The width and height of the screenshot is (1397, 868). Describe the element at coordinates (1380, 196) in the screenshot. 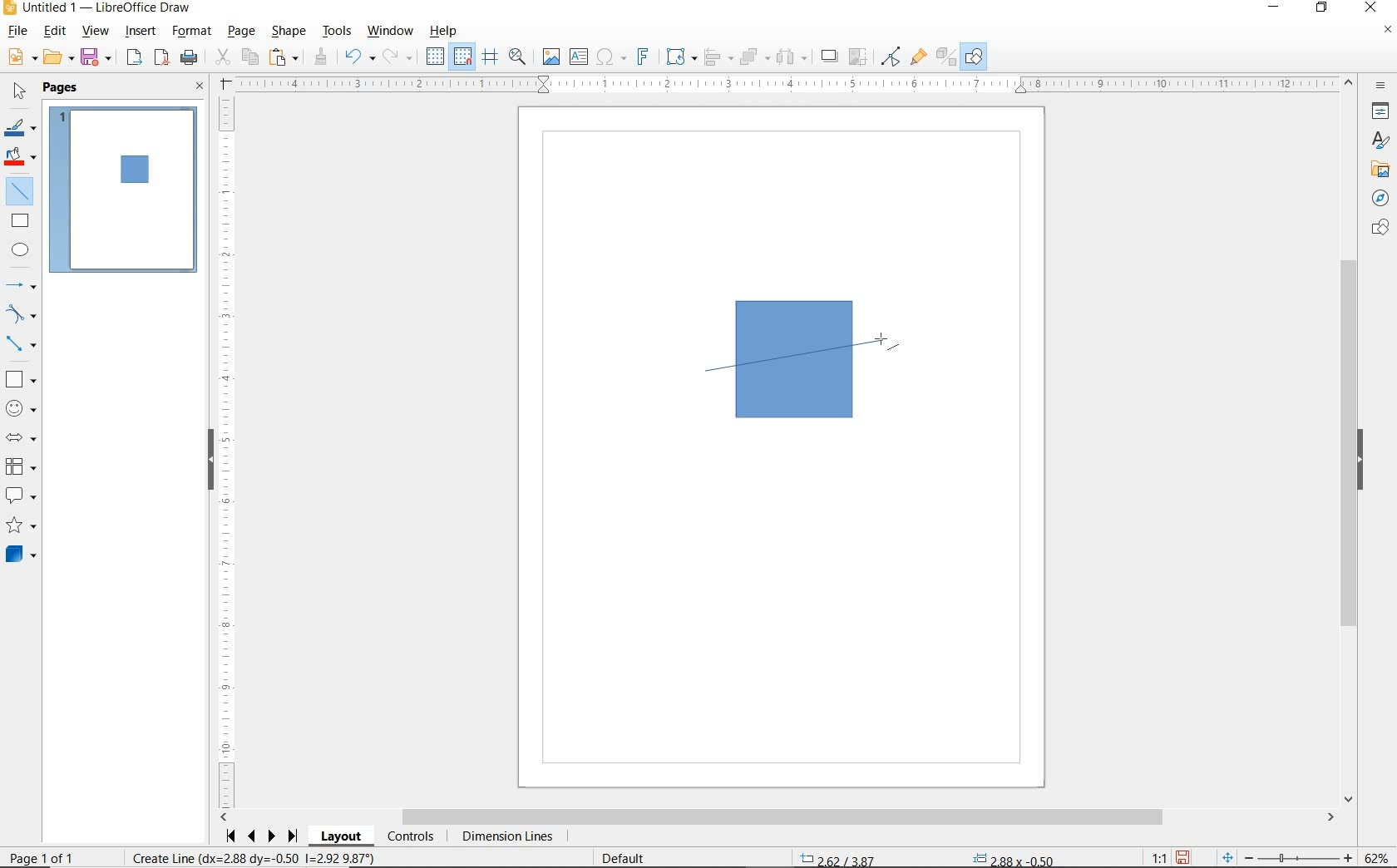

I see `NAVIGATOR` at that location.